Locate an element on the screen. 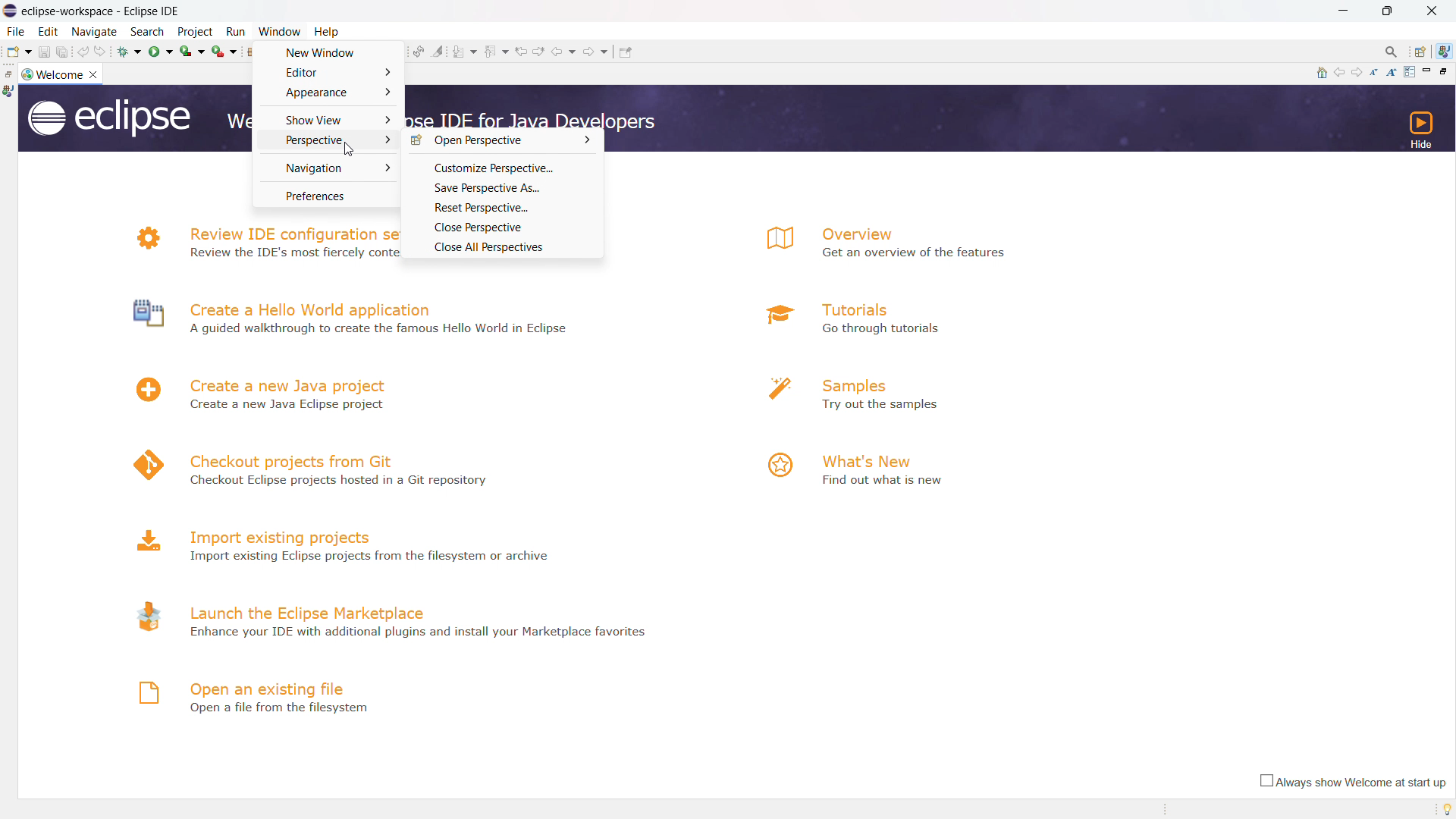 The image size is (1456, 819). navigation is located at coordinates (326, 168).